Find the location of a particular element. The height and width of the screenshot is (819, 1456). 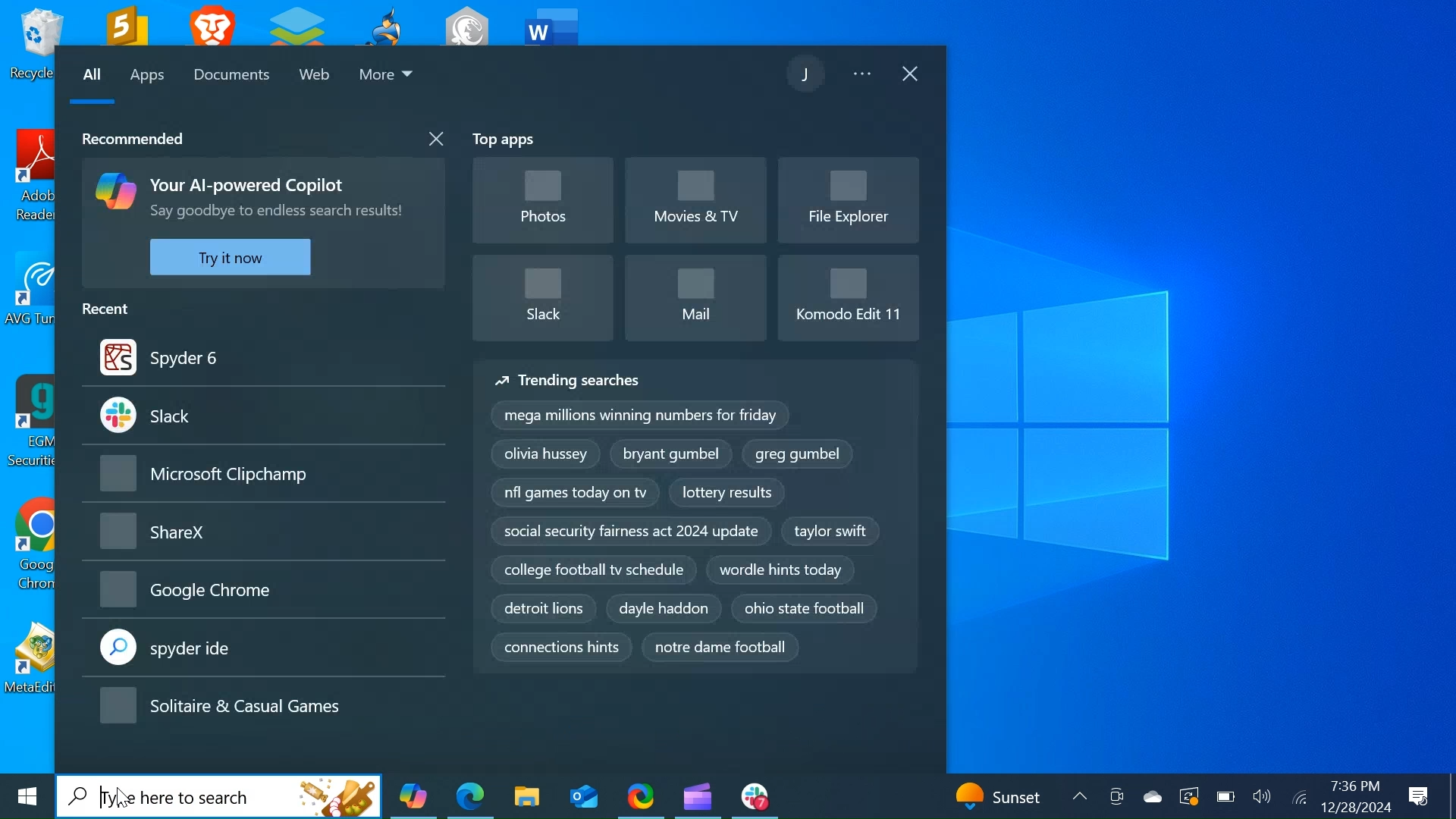

Recent is located at coordinates (111, 307).